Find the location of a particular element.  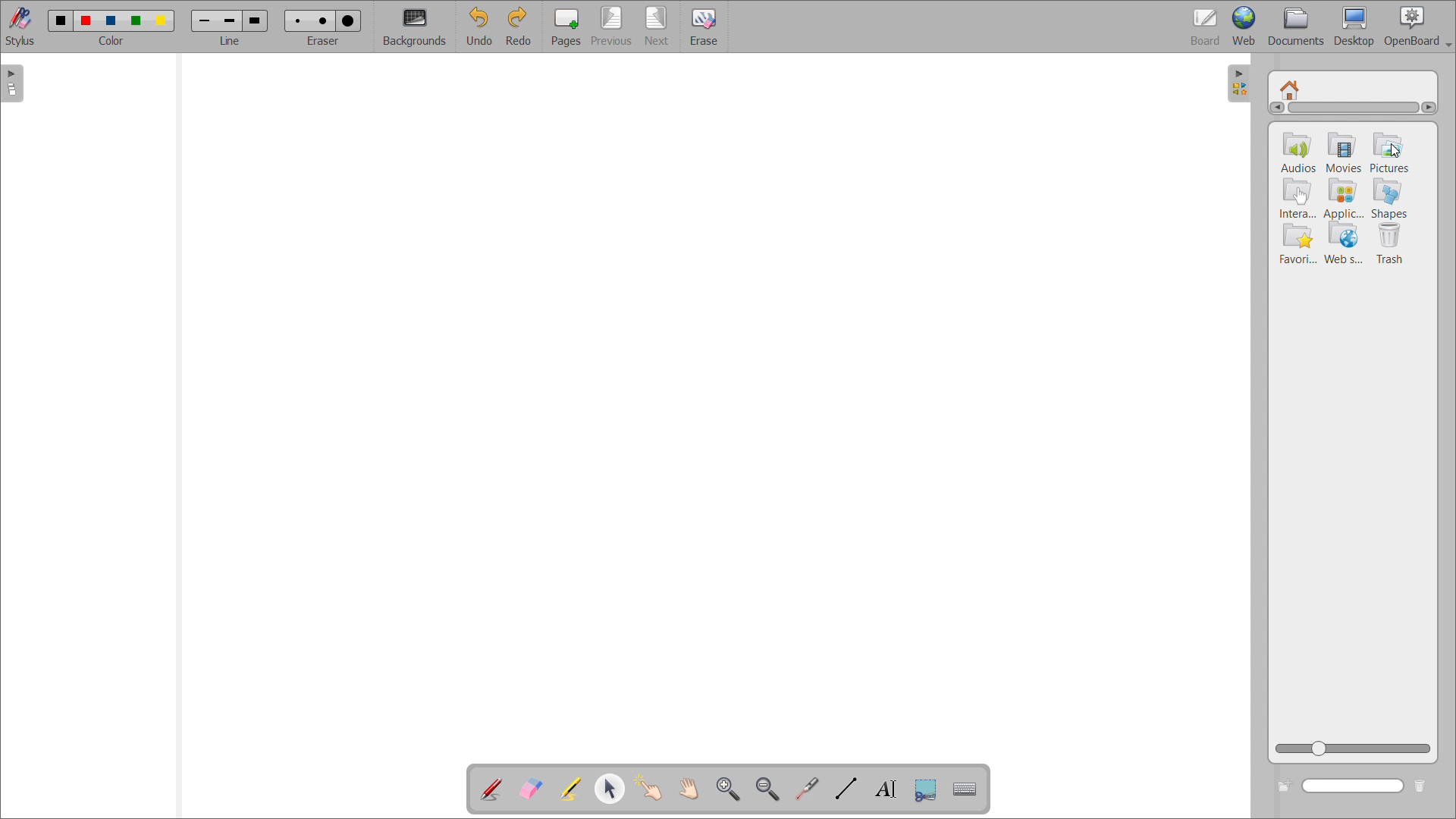

capture part of the screen is located at coordinates (927, 789).